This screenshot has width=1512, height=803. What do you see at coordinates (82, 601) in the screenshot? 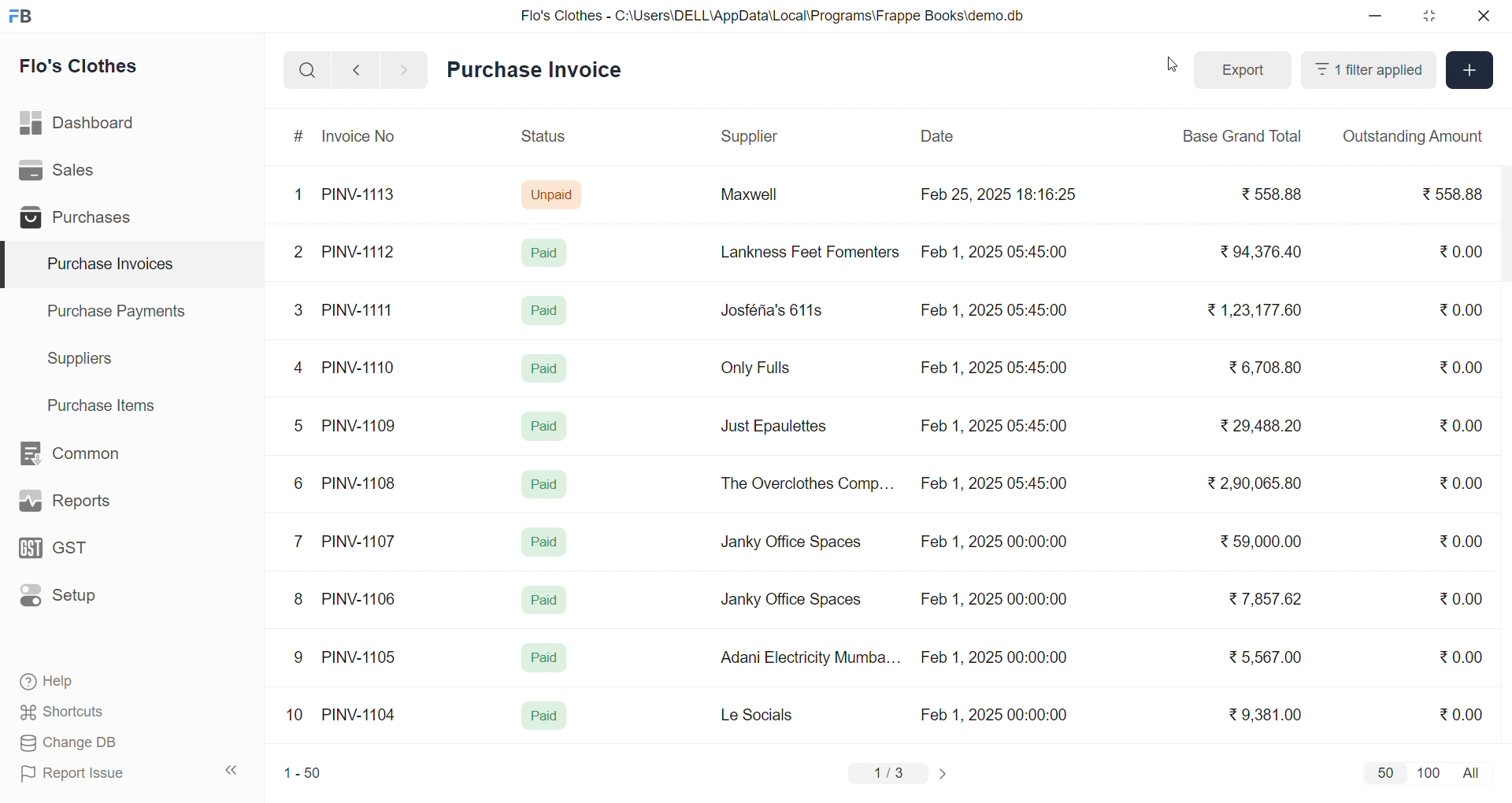
I see `Setup` at bounding box center [82, 601].